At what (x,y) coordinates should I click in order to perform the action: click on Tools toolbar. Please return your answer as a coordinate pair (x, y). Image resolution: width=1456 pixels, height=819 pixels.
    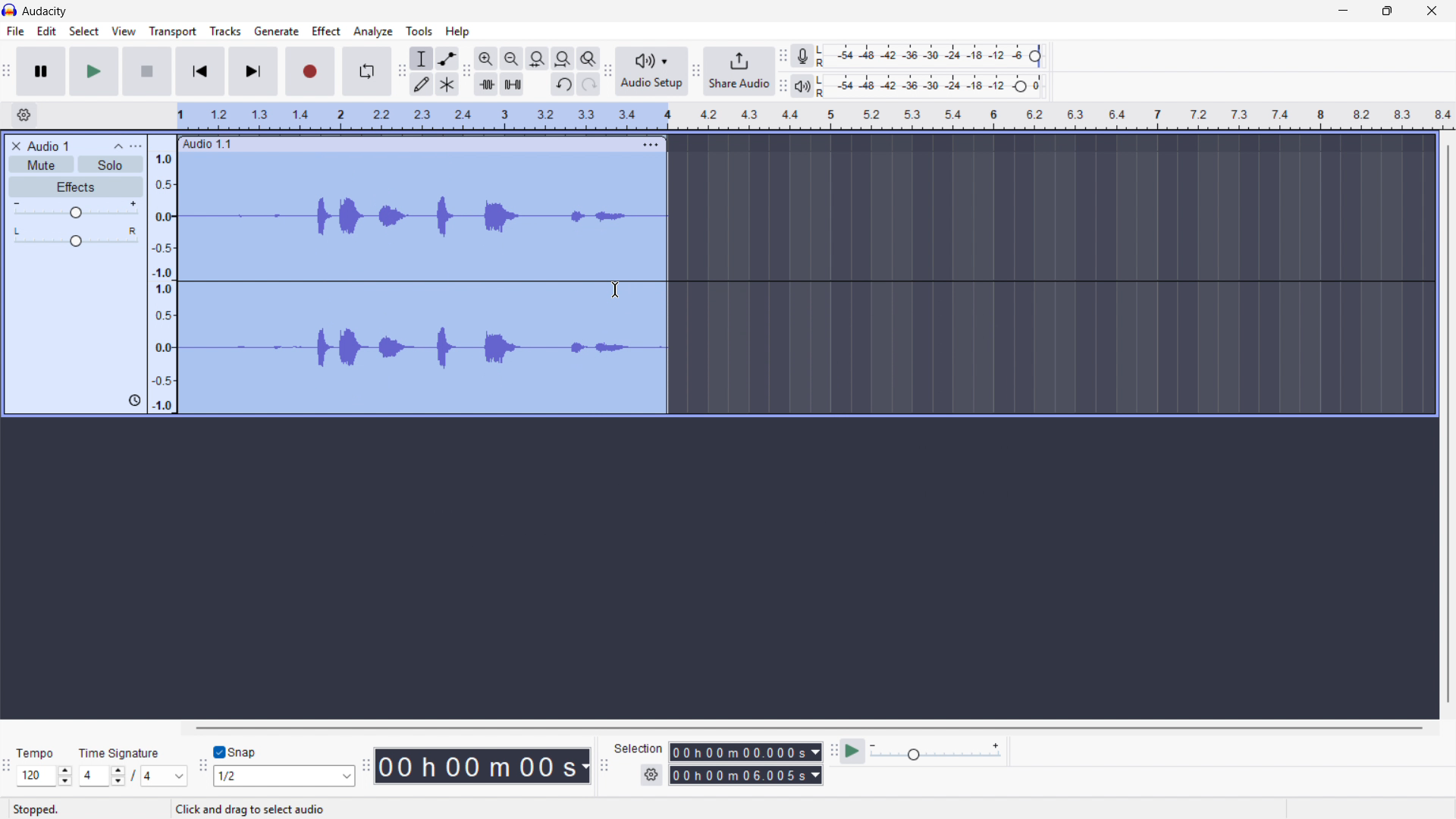
    Looking at the image, I should click on (402, 71).